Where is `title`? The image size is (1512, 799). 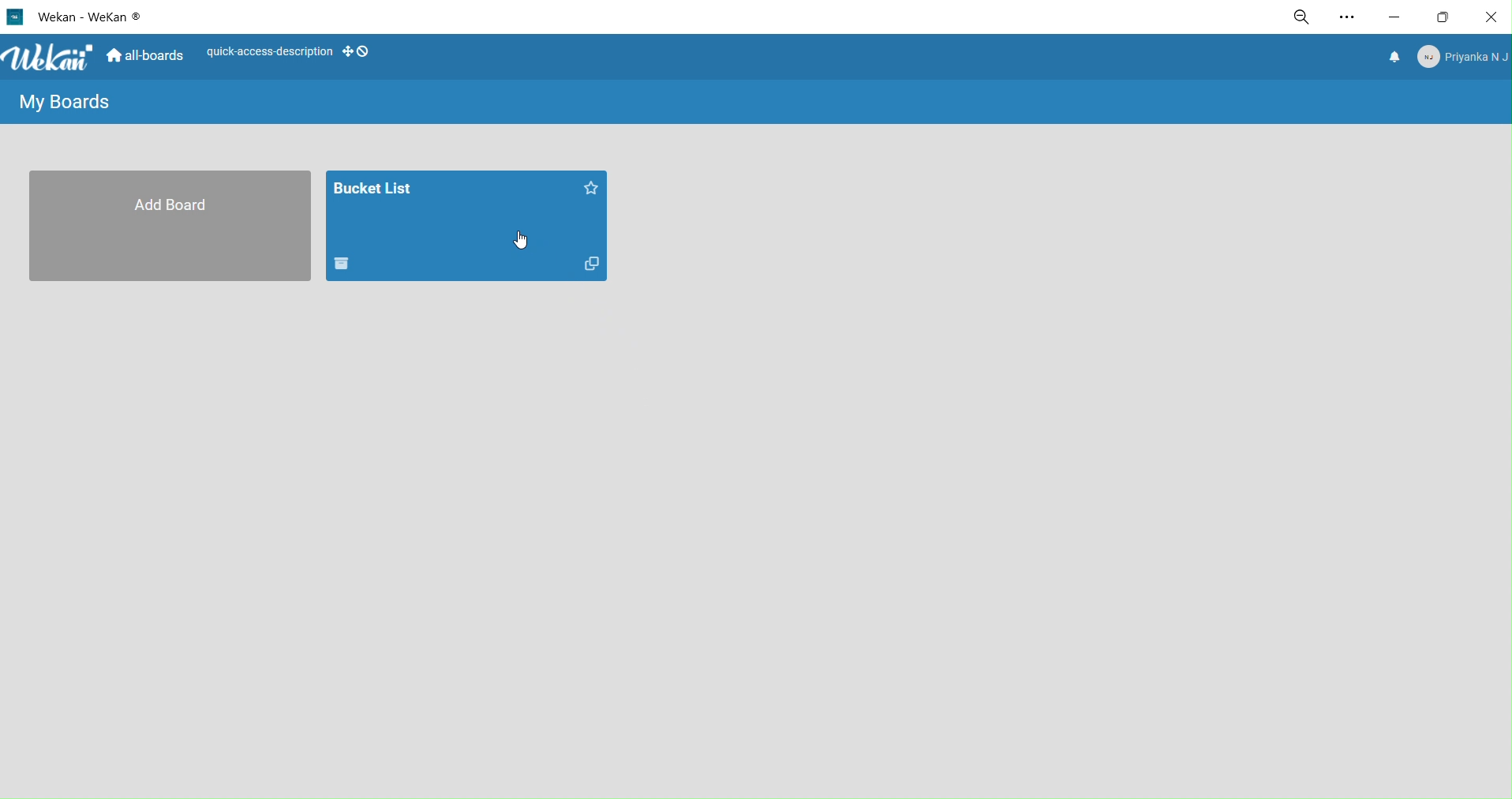 title is located at coordinates (51, 57).